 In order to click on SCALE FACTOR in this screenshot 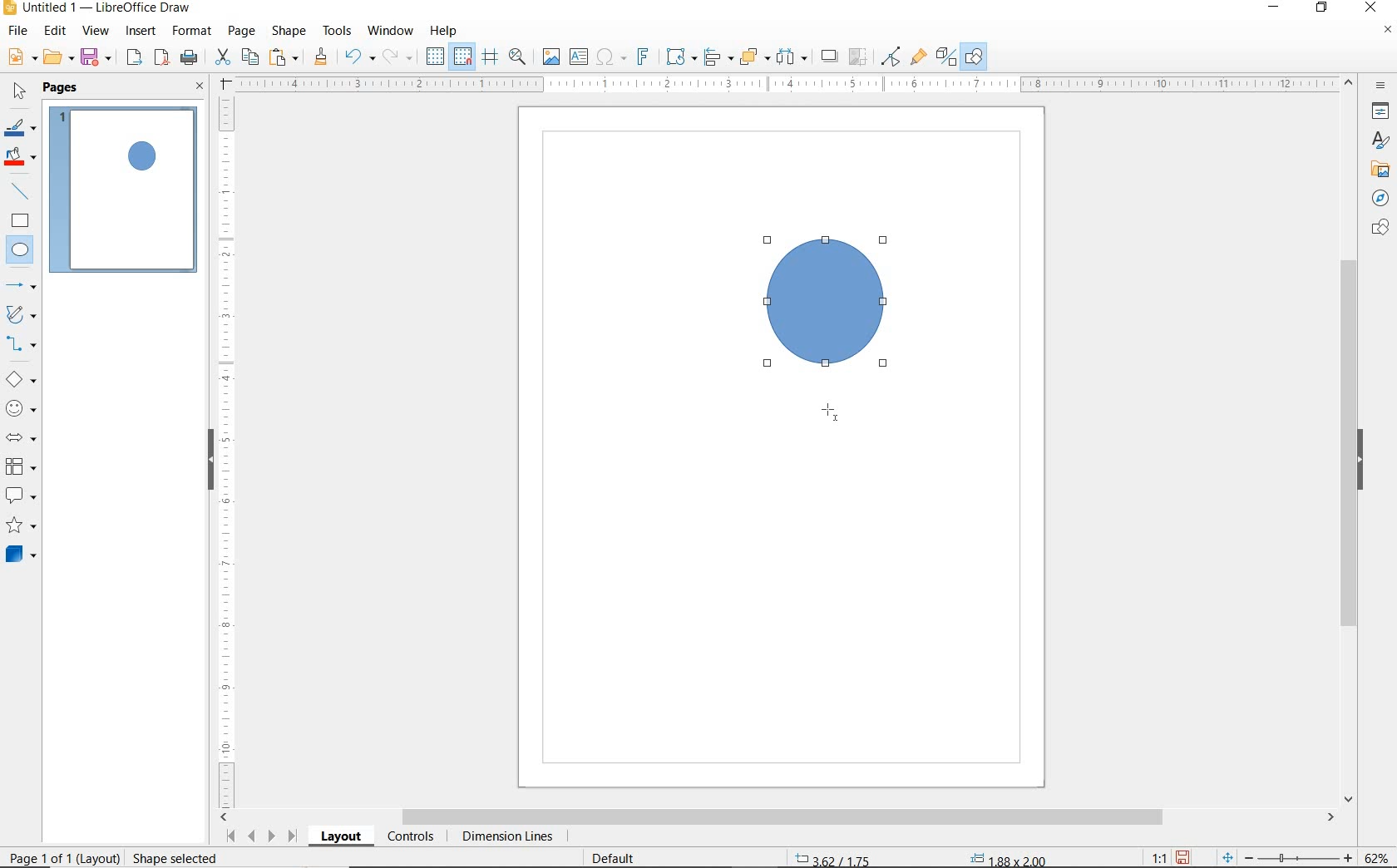, I will do `click(1151, 857)`.